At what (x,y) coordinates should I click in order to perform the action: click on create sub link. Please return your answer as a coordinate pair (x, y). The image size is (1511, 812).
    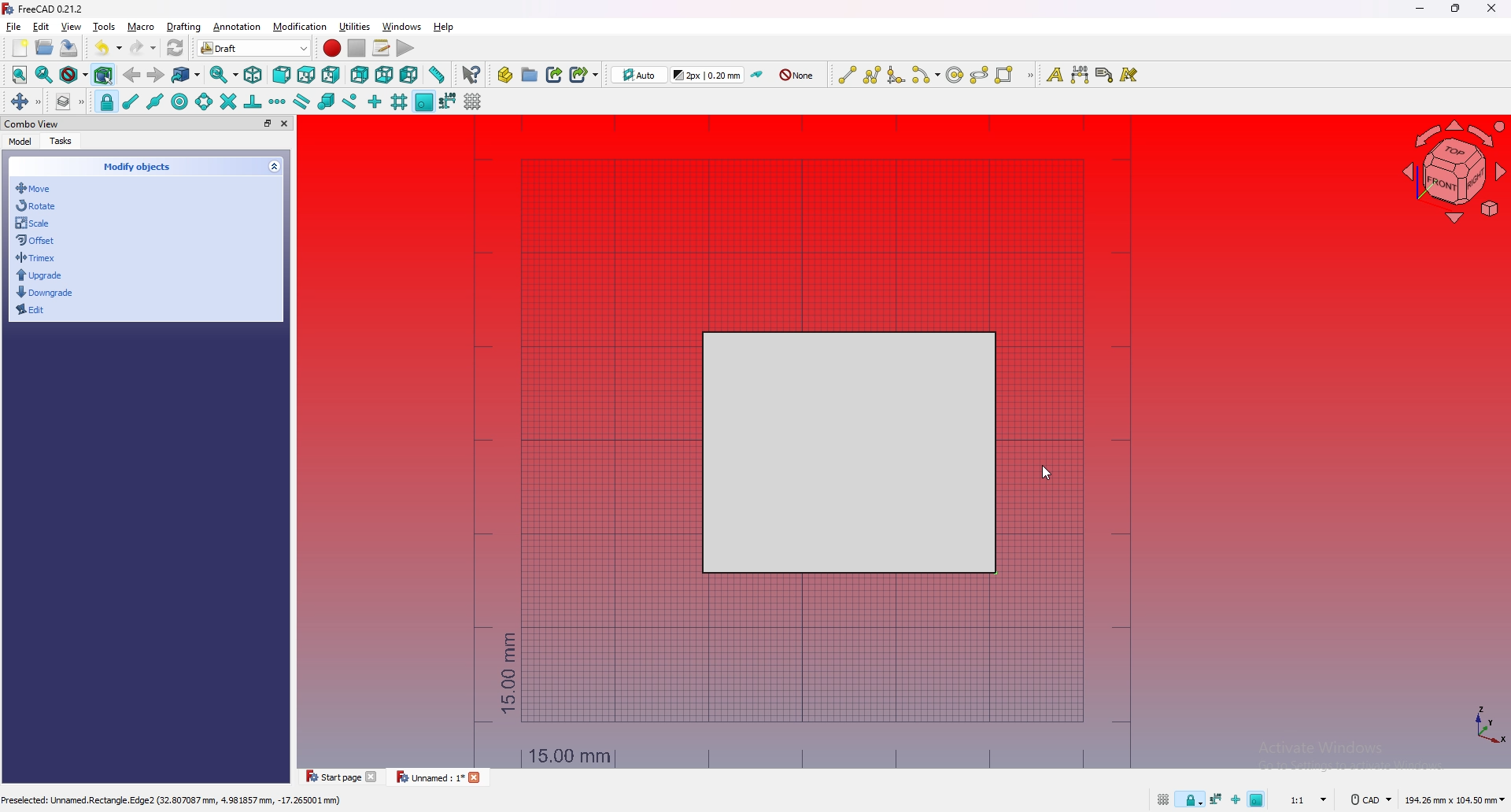
    Looking at the image, I should click on (583, 74).